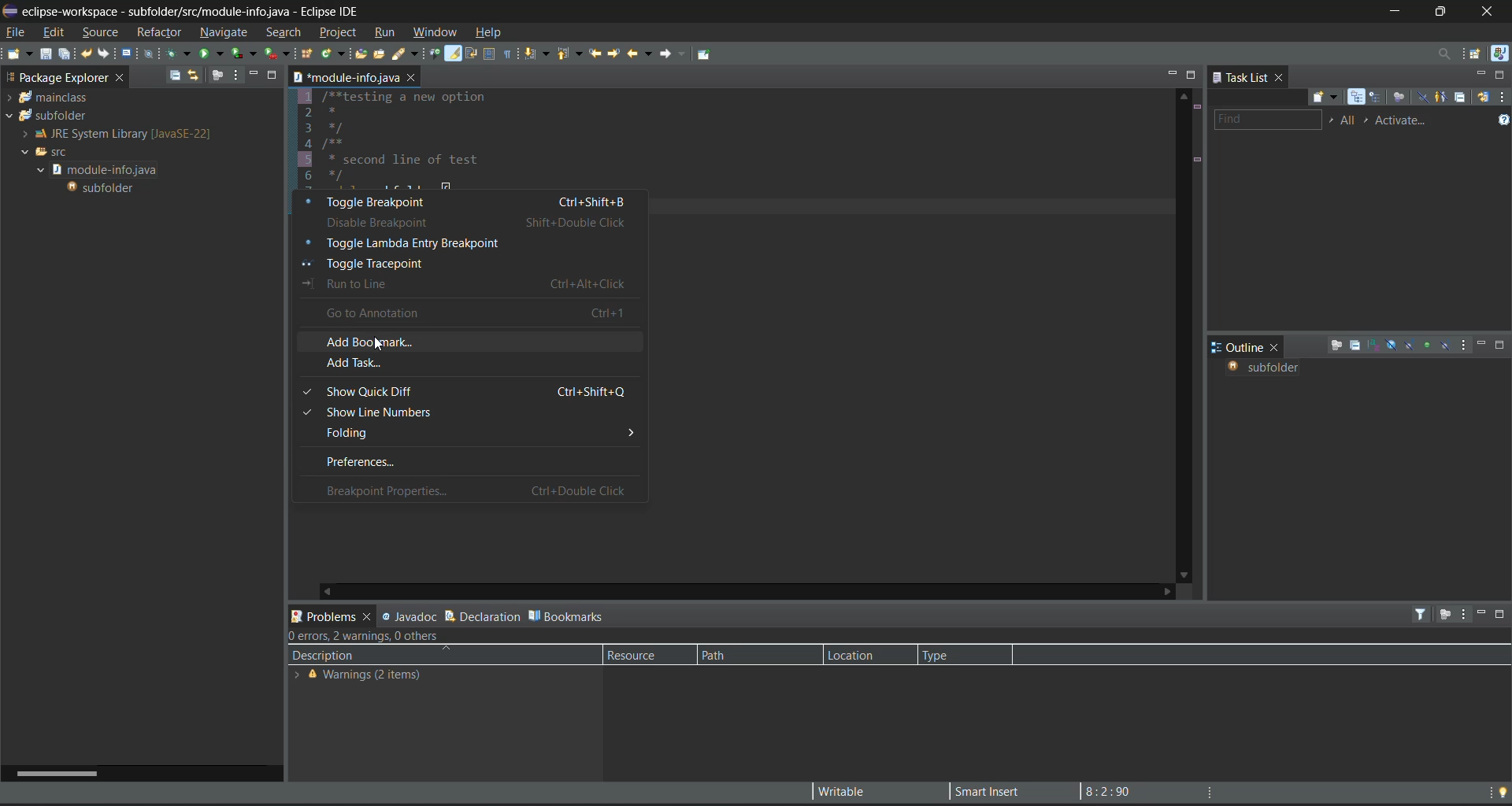 The image size is (1512, 806). I want to click on maximize, so click(1446, 9).